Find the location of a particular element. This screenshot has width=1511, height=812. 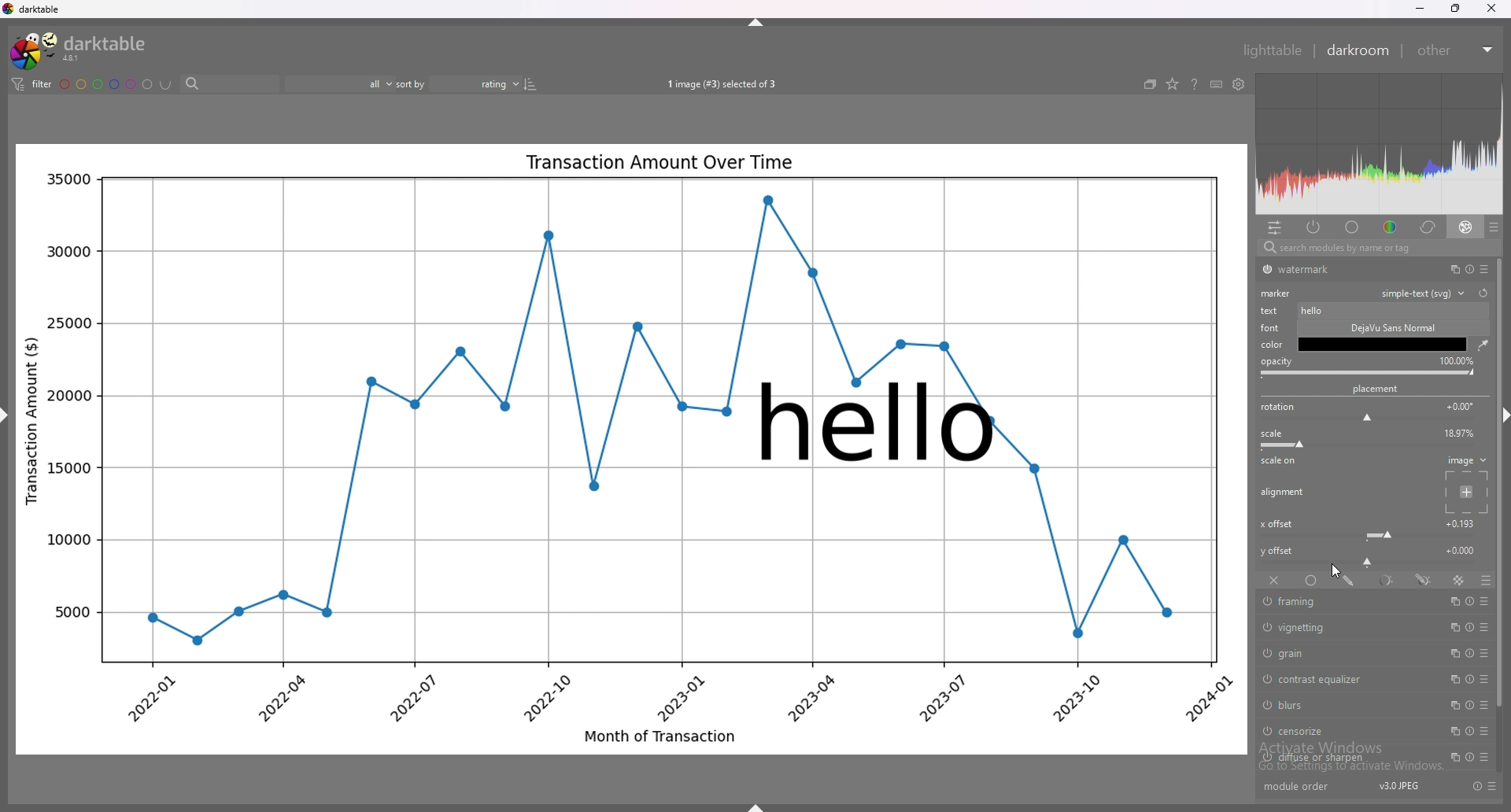

parametric mask is located at coordinates (1388, 580).